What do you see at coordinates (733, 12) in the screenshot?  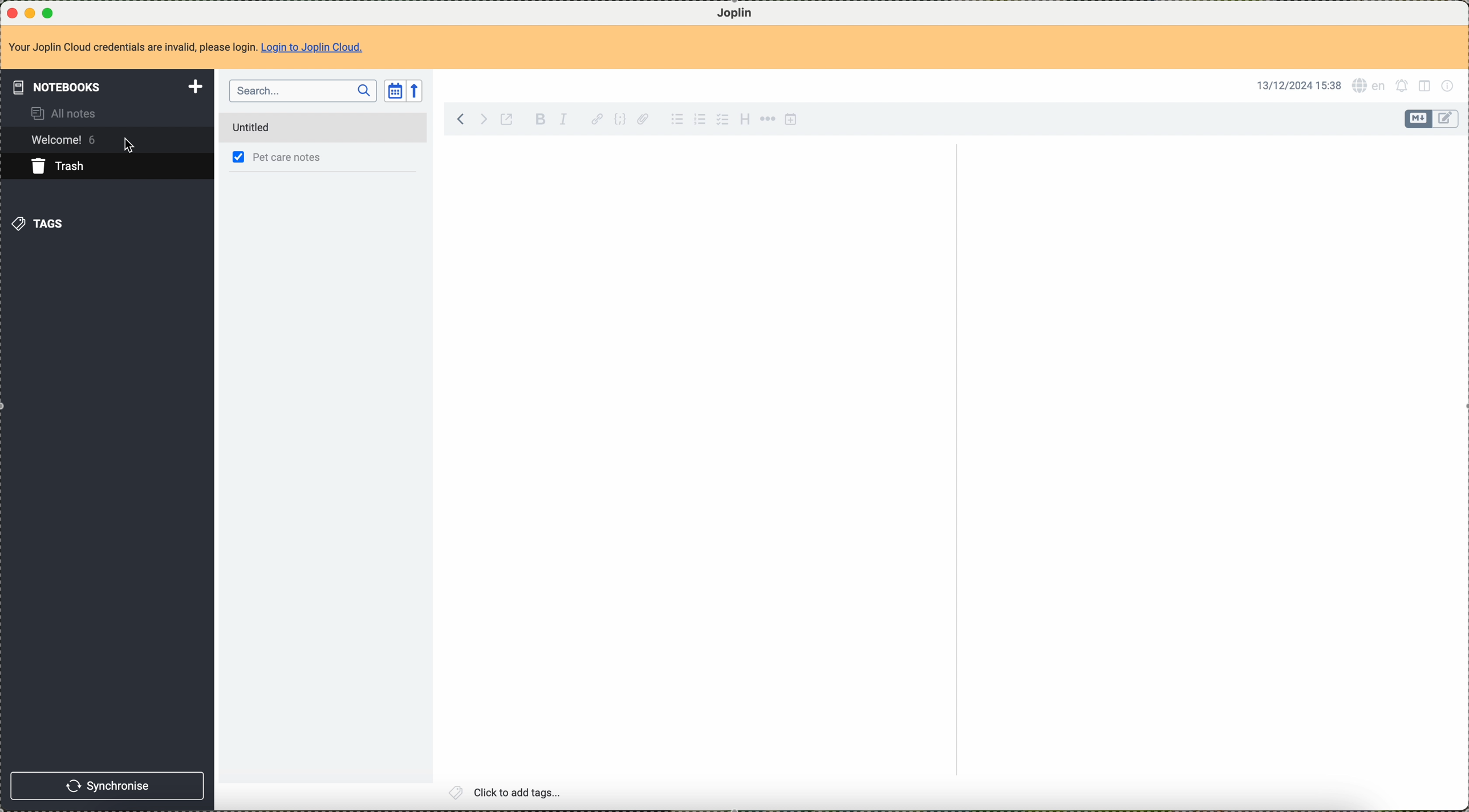 I see `Joplin` at bounding box center [733, 12].